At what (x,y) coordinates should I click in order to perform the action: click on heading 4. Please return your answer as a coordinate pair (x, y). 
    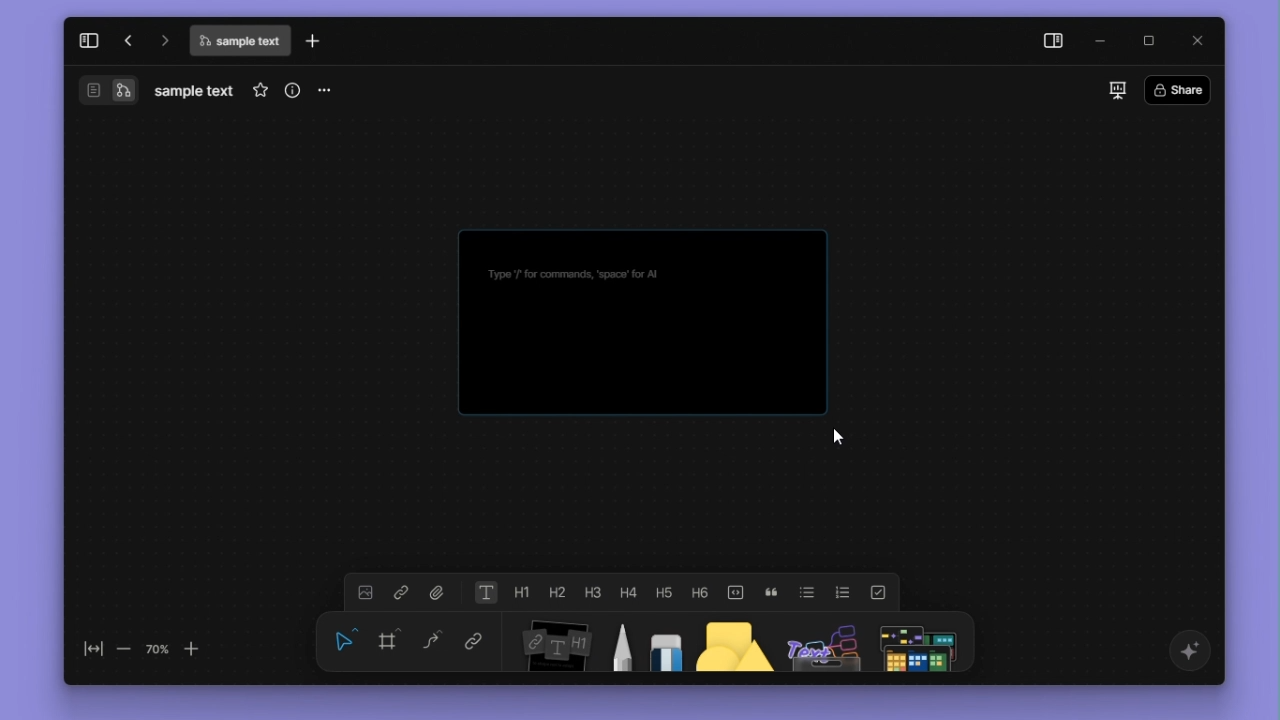
    Looking at the image, I should click on (629, 591).